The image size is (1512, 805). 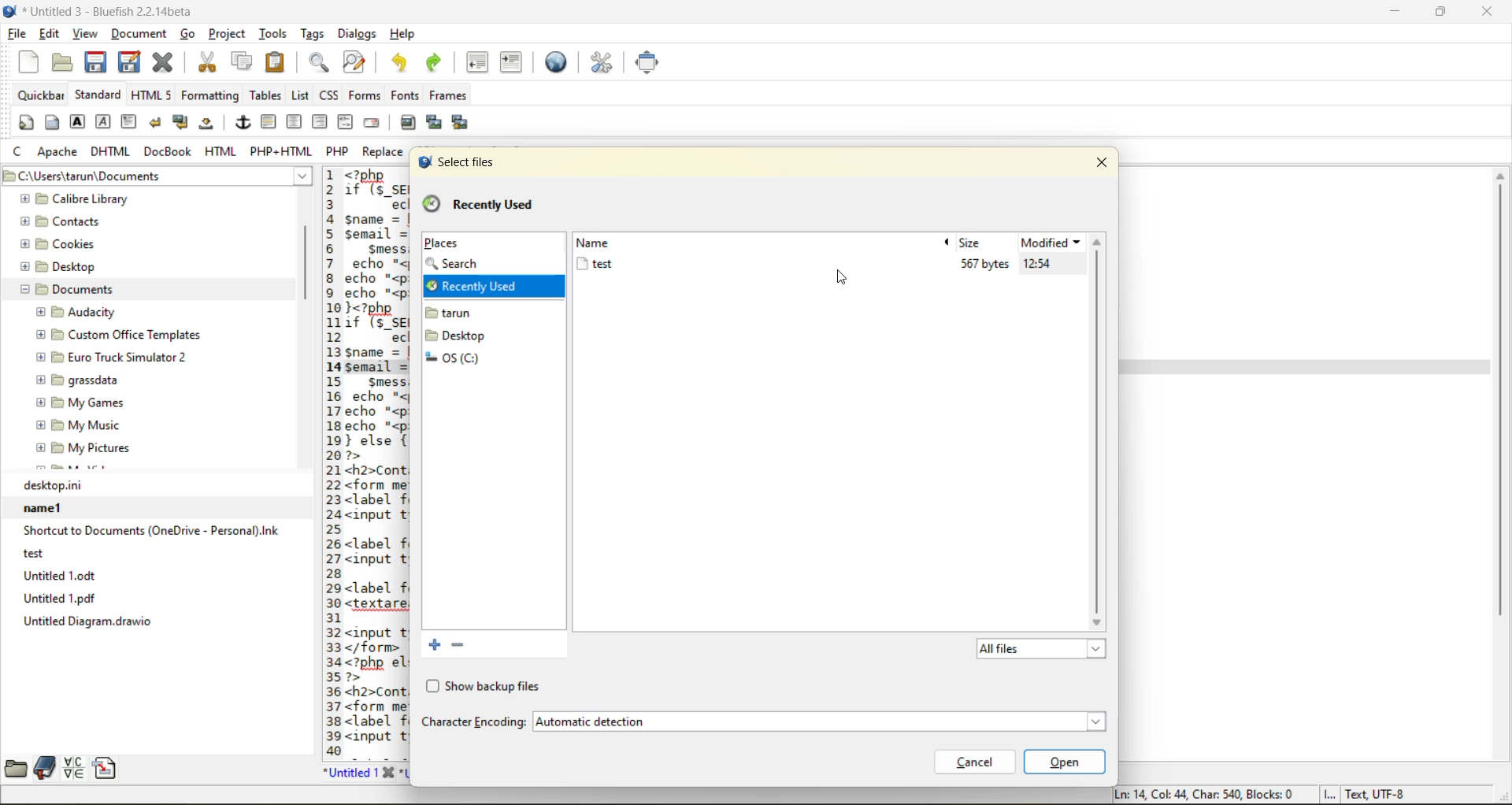 What do you see at coordinates (52, 124) in the screenshot?
I see `body` at bounding box center [52, 124].